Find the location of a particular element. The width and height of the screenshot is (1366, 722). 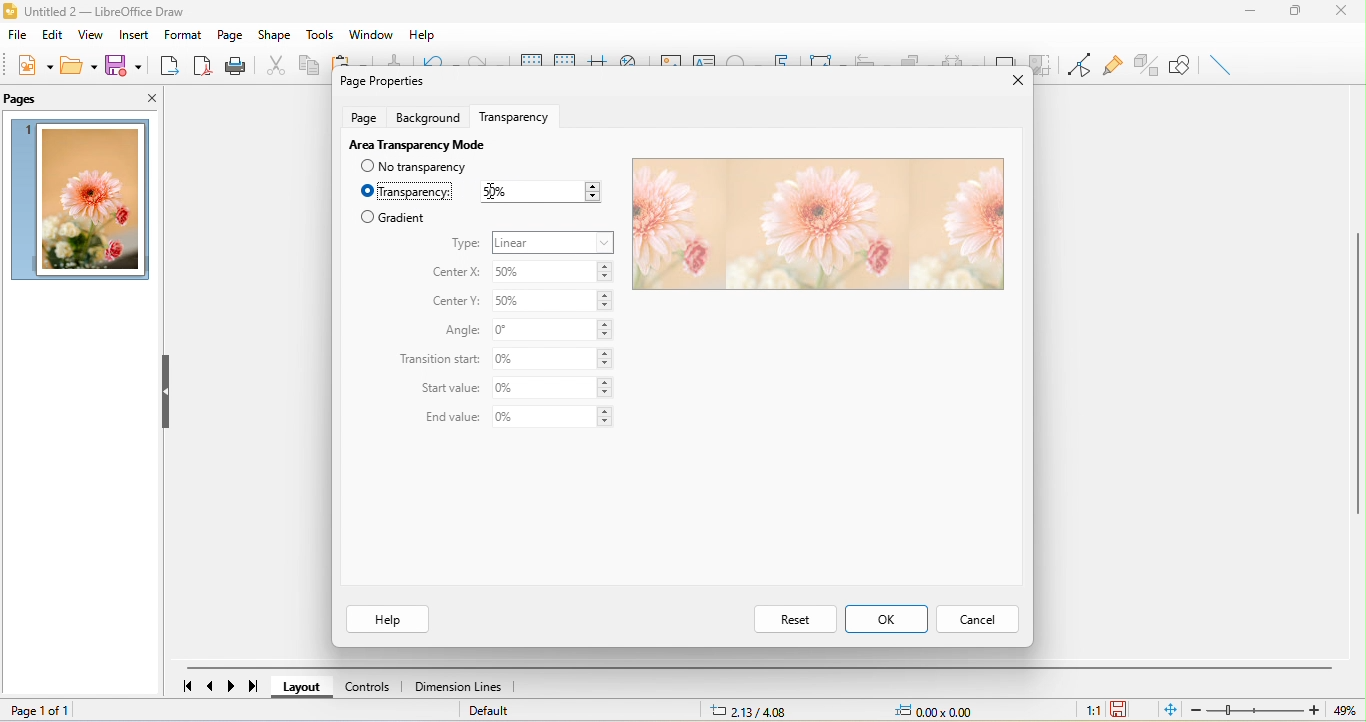

0% is located at coordinates (553, 388).